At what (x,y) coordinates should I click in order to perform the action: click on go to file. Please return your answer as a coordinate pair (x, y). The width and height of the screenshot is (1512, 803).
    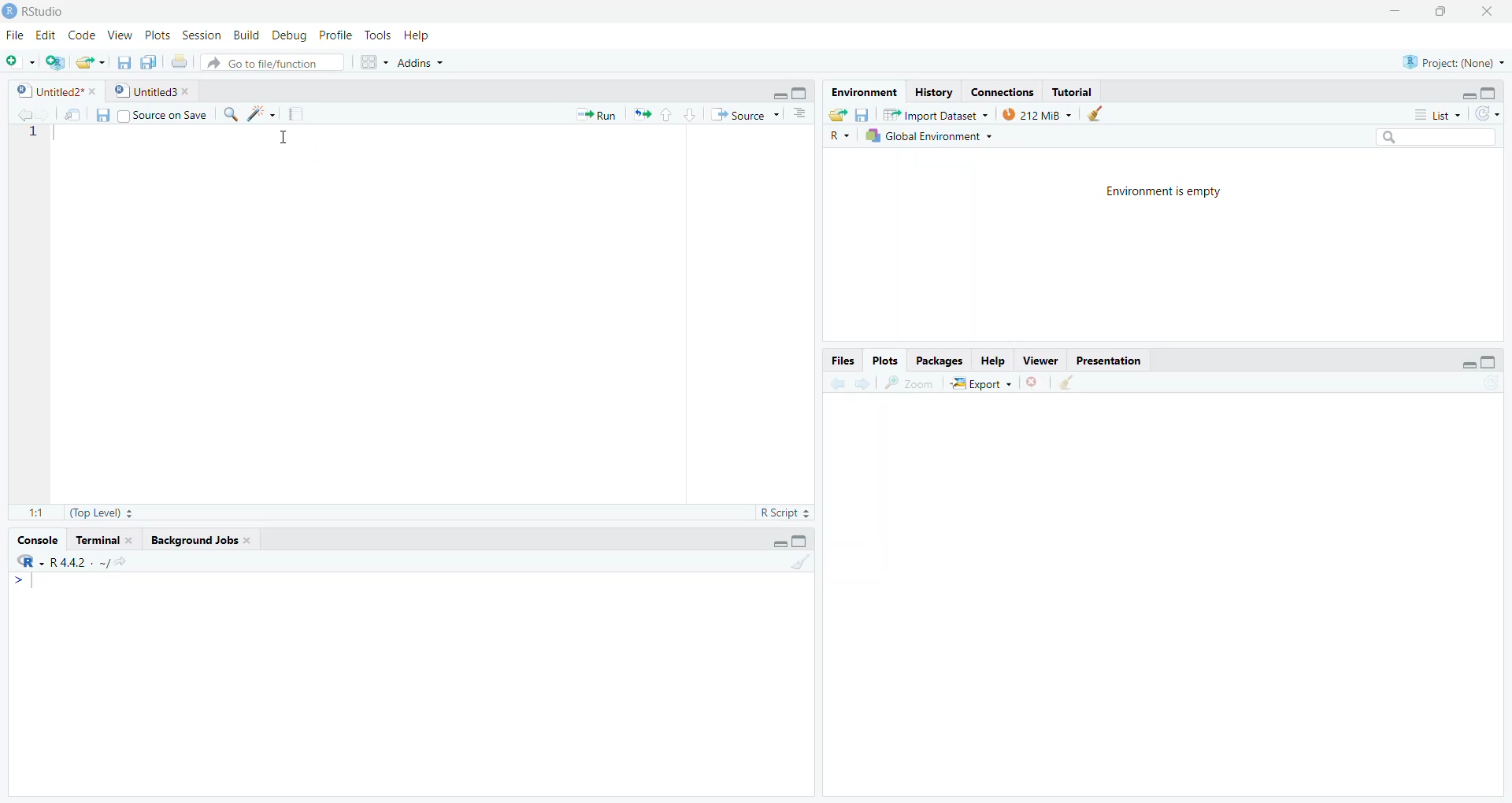
    Looking at the image, I should click on (269, 62).